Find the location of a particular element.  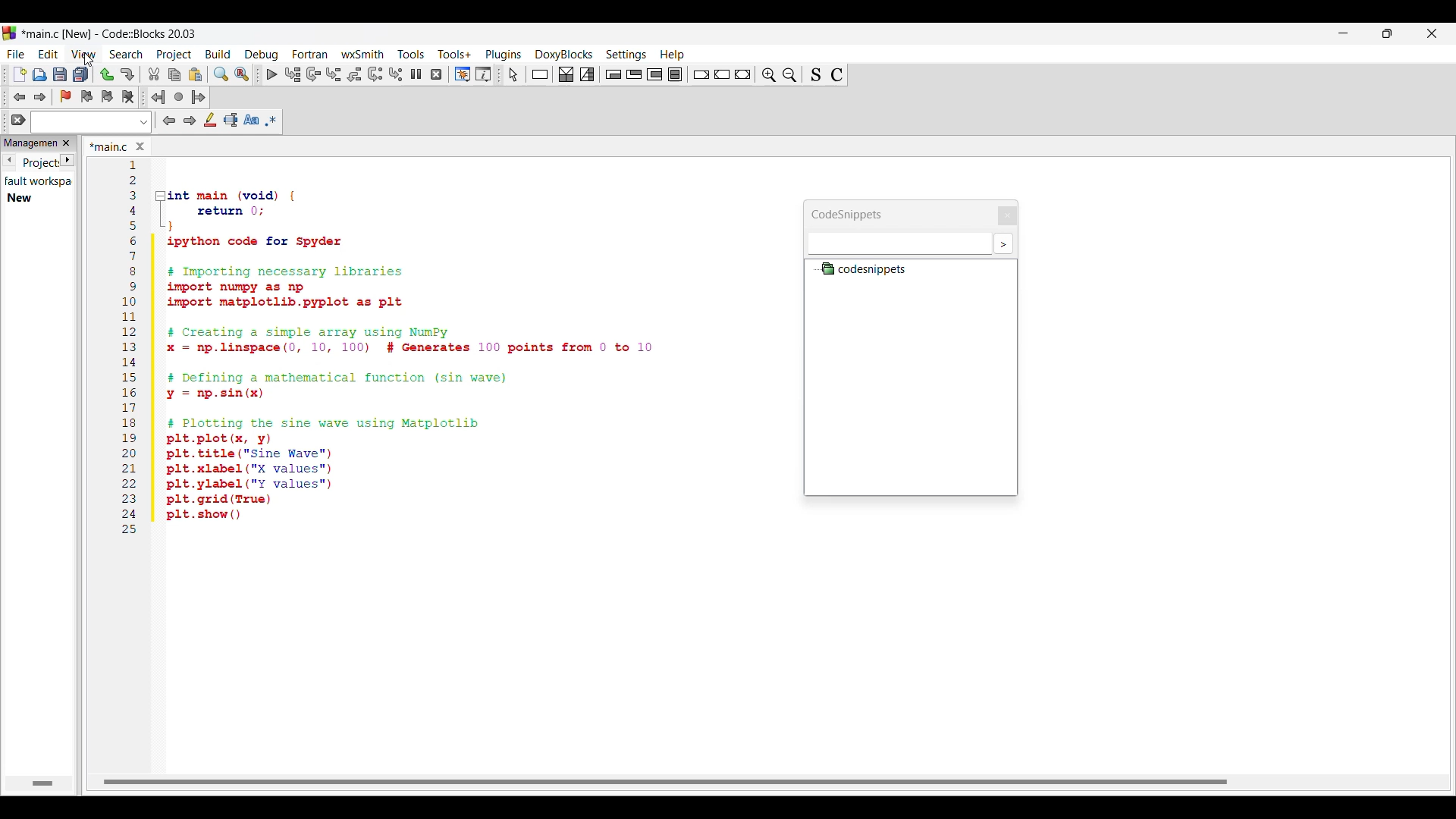

Selected text is located at coordinates (231, 120).